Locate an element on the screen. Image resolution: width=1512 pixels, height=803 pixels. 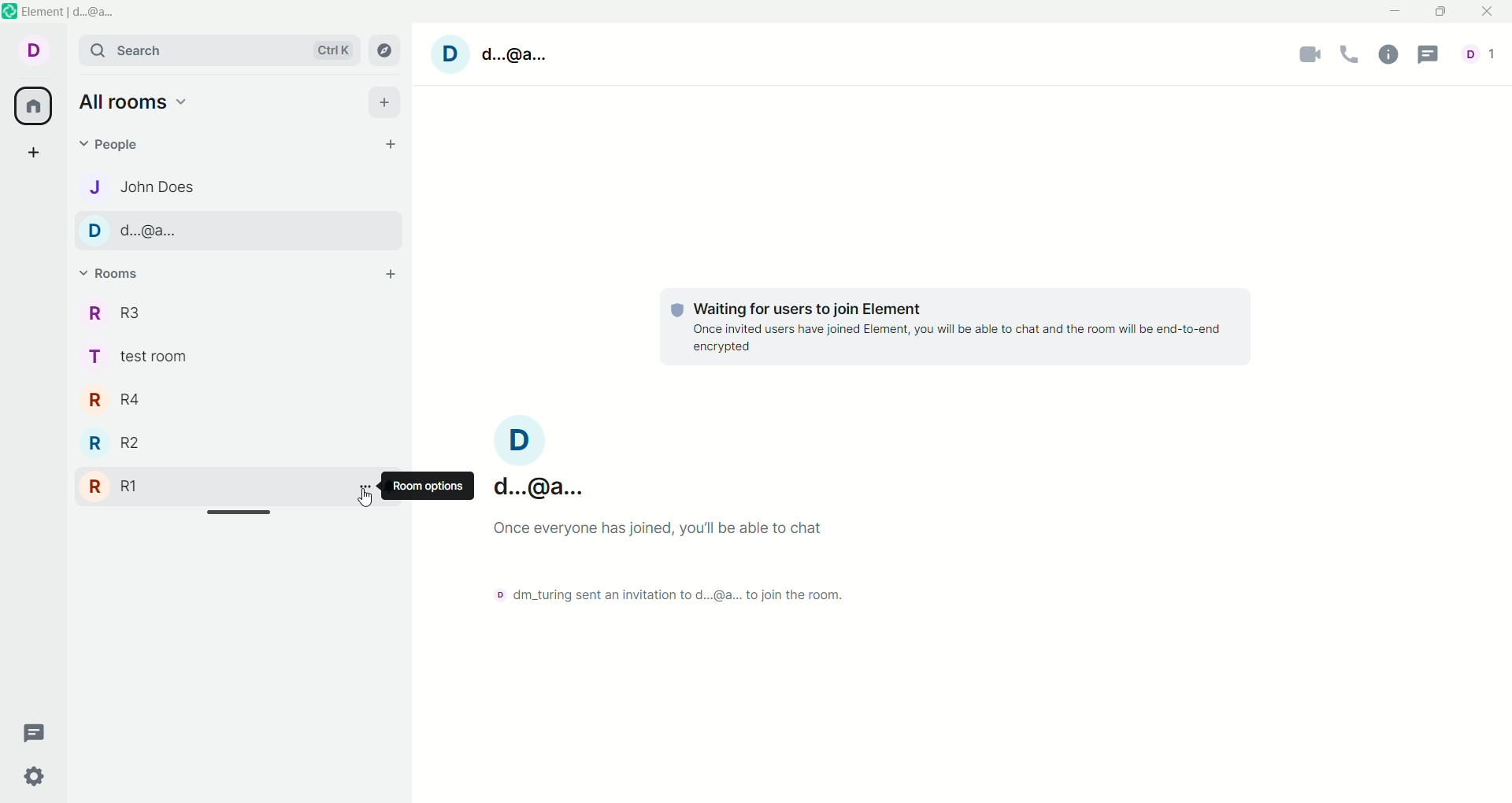
threads is located at coordinates (1432, 57).